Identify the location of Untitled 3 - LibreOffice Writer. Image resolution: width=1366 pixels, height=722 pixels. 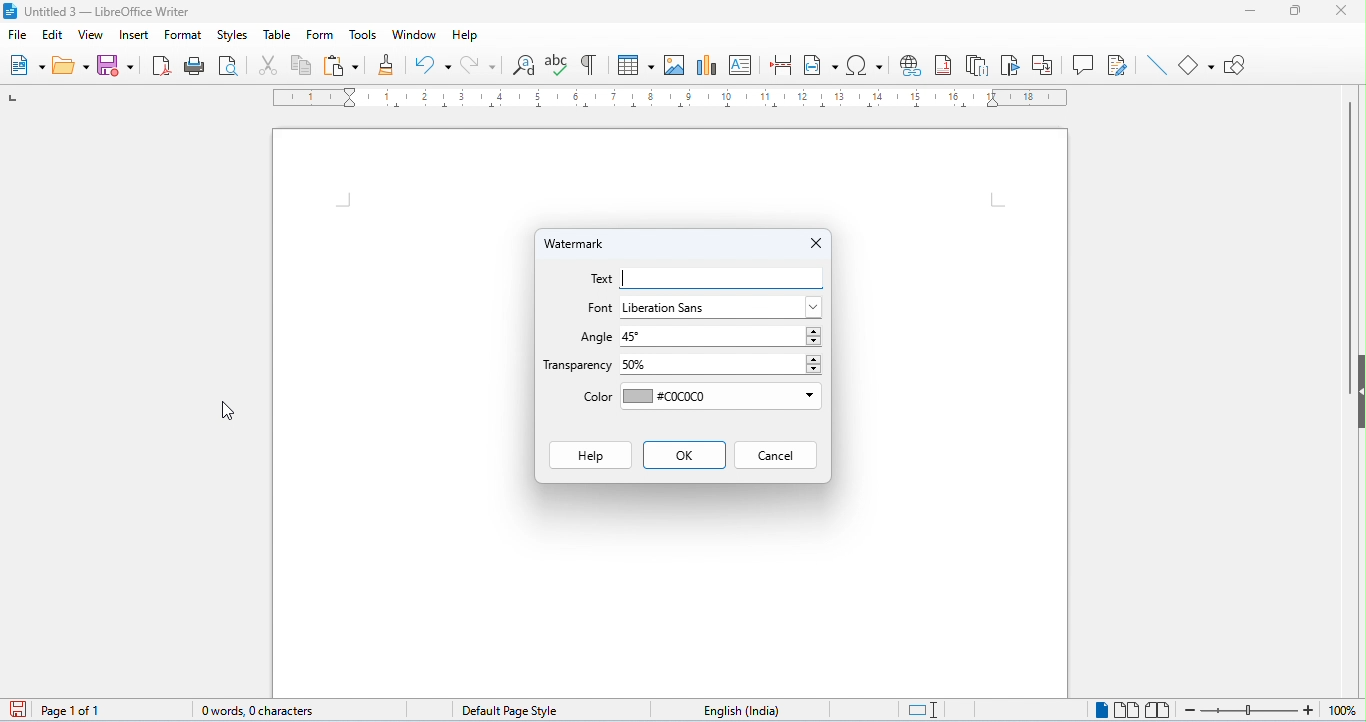
(108, 12).